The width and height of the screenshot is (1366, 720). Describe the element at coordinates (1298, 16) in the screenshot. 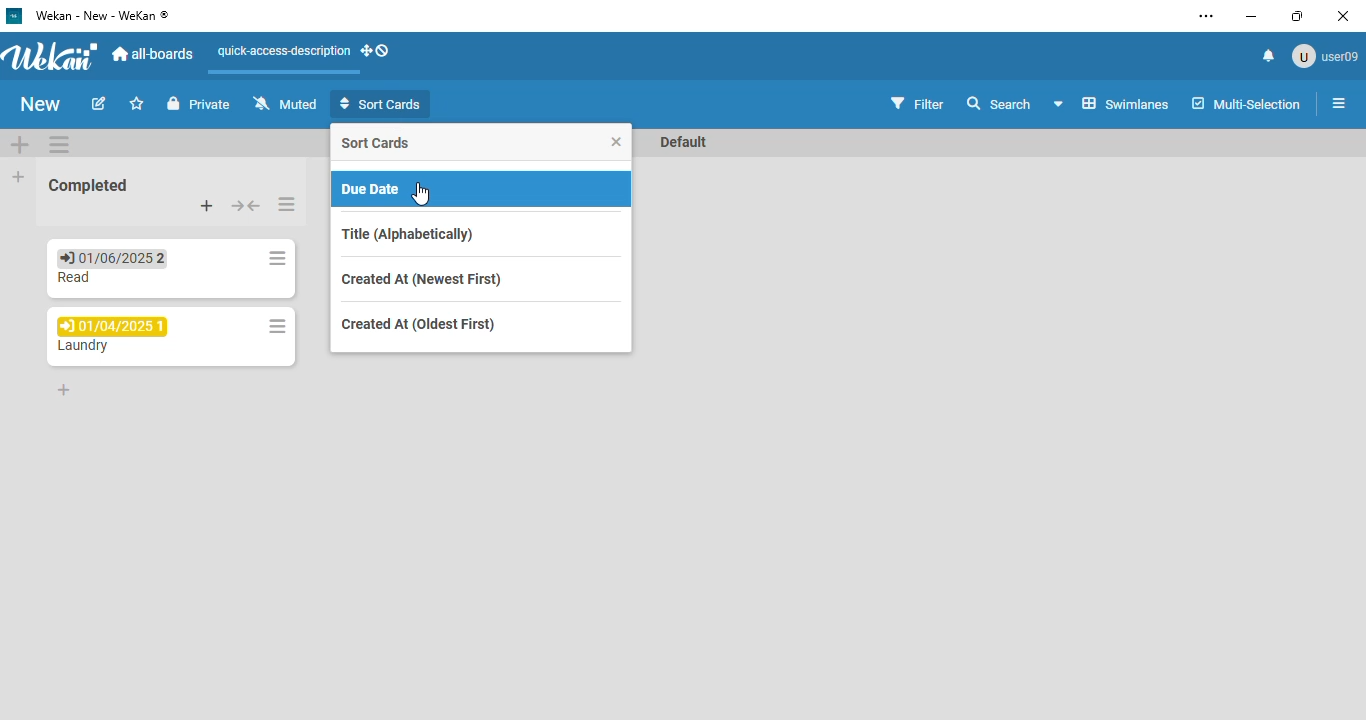

I see `maximize` at that location.